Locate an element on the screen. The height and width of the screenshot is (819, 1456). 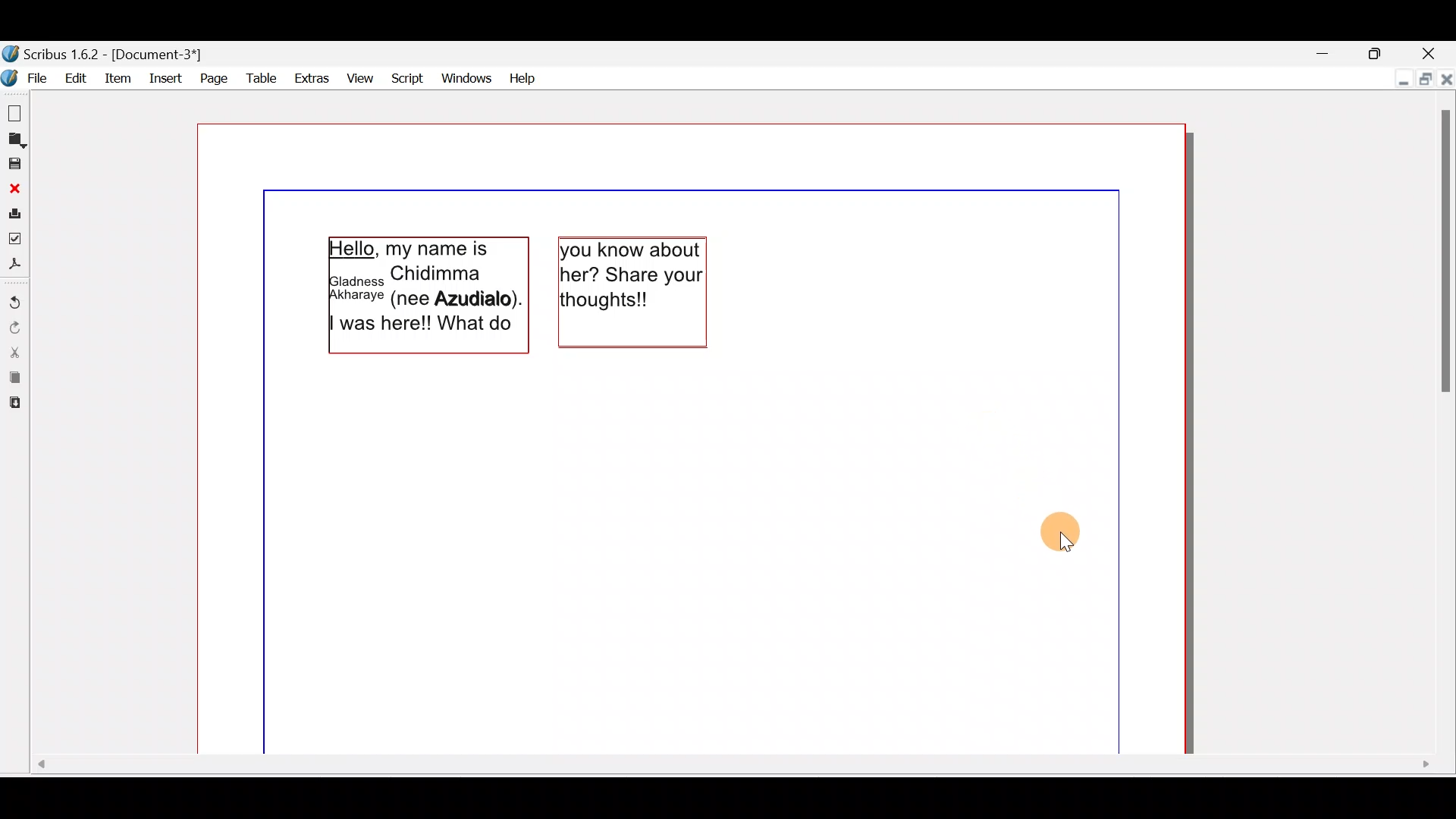
cursor is located at coordinates (1064, 534).